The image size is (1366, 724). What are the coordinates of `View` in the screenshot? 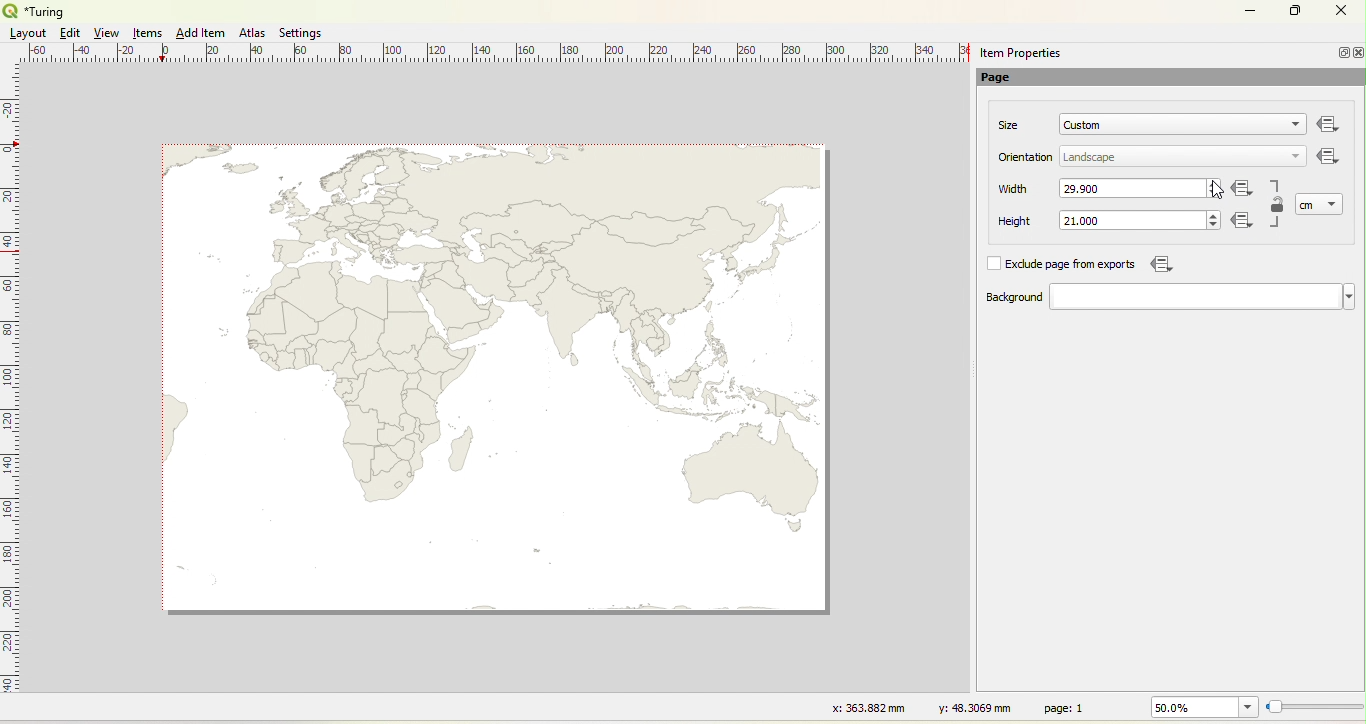 It's located at (108, 33).